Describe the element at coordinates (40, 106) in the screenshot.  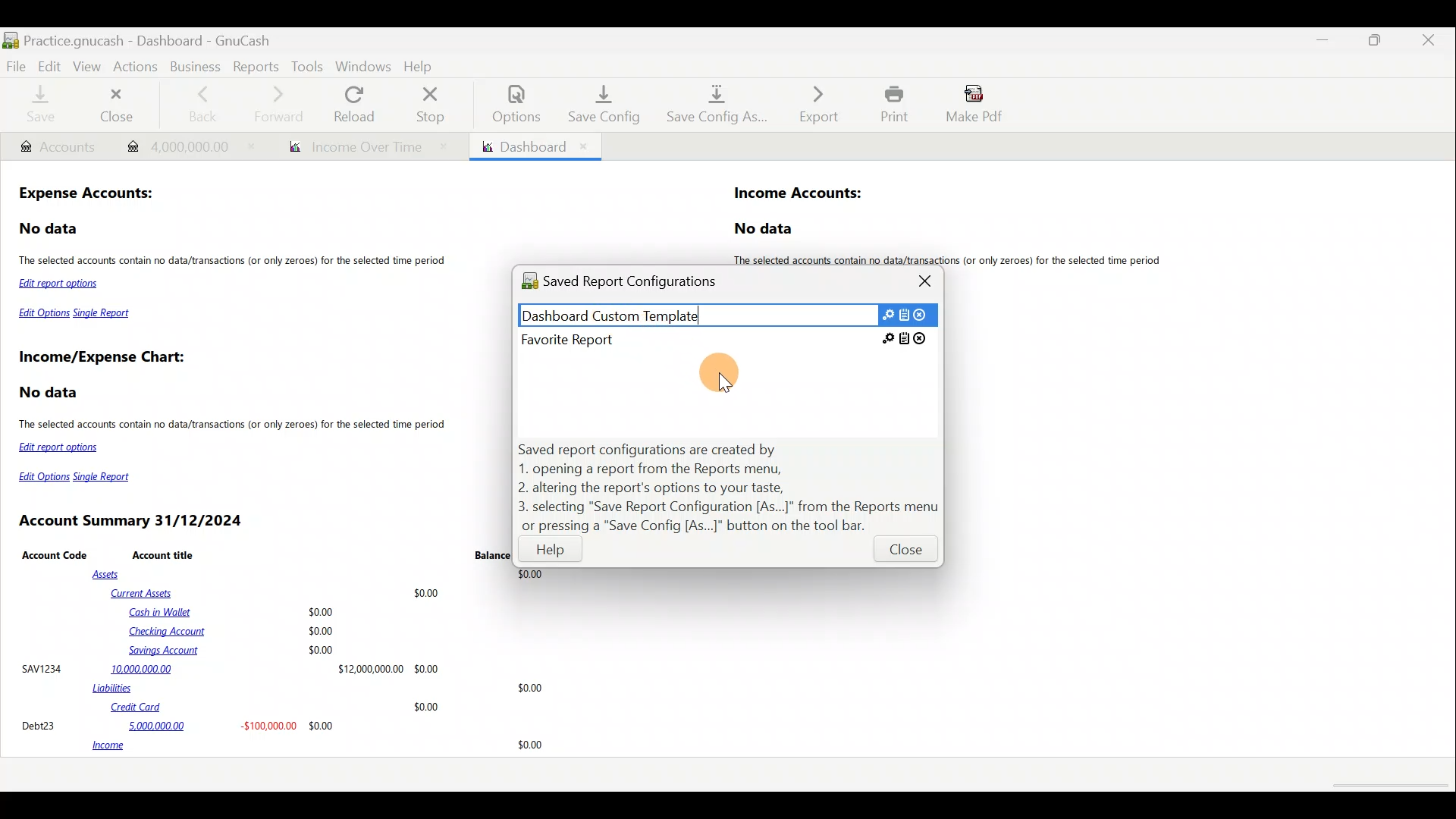
I see `Save` at that location.